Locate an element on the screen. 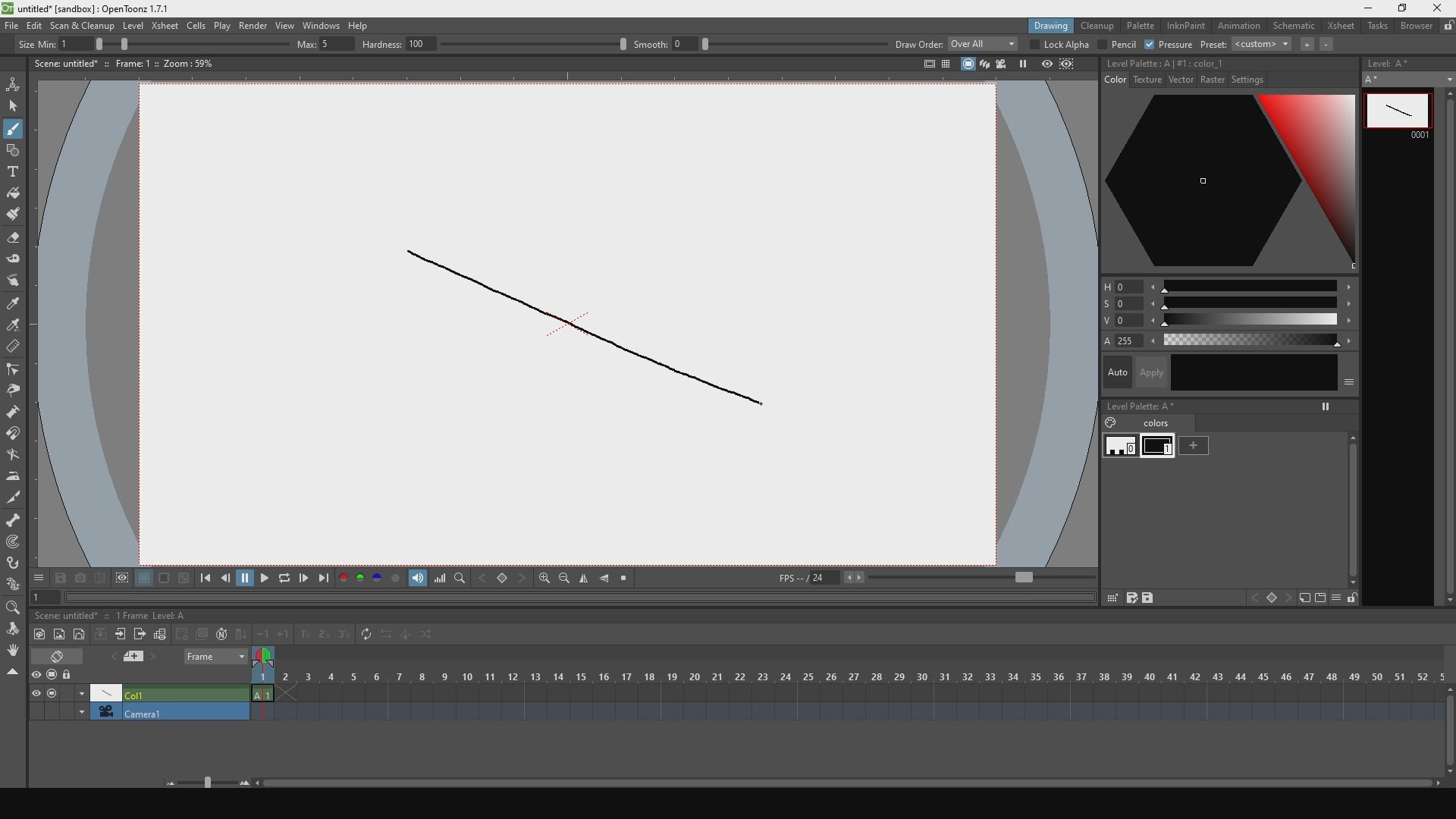 The height and width of the screenshot is (819, 1456). scroll bar is located at coordinates (1447, 348).